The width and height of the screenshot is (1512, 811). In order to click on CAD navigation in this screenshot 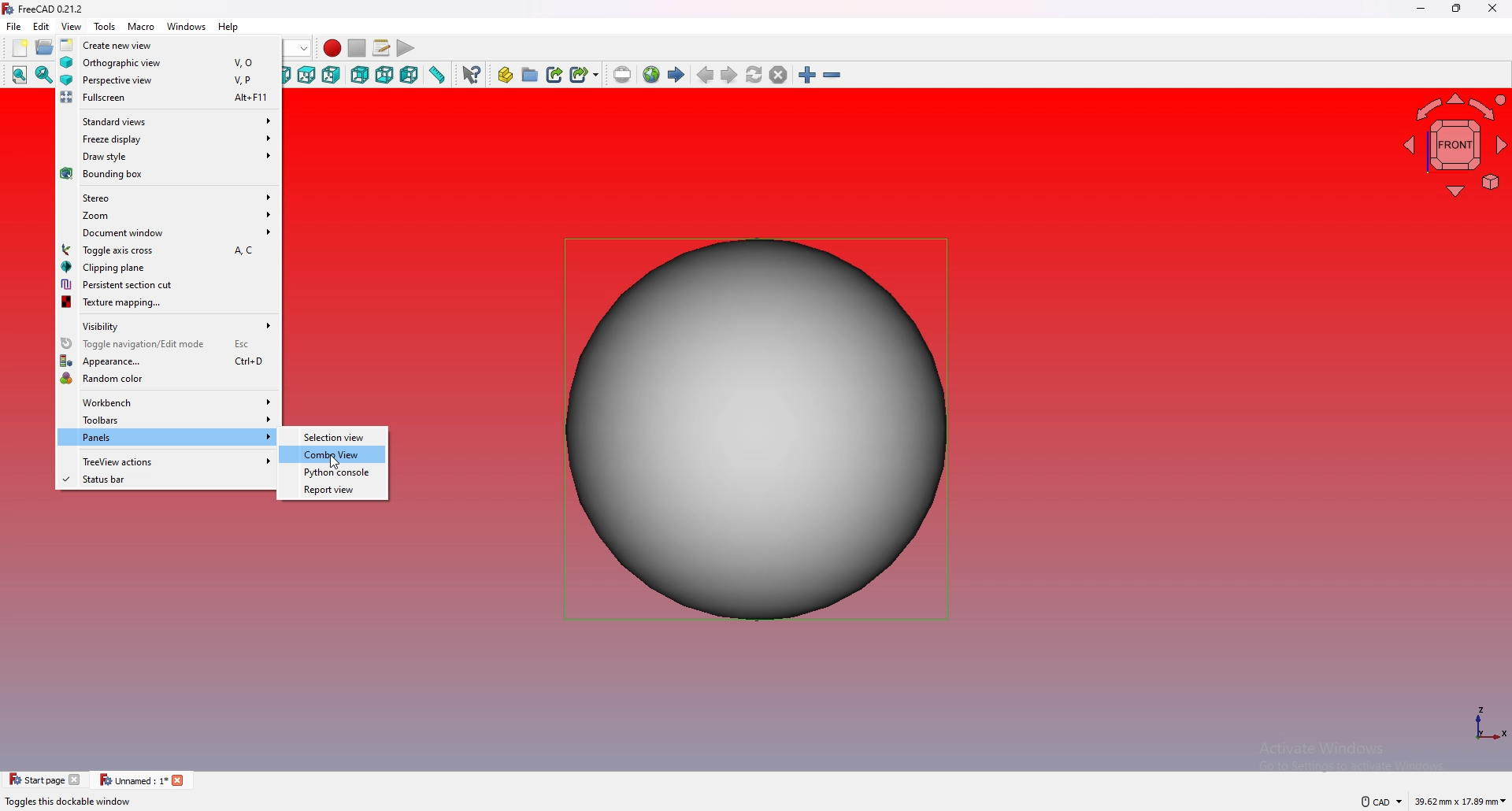, I will do `click(1379, 802)`.